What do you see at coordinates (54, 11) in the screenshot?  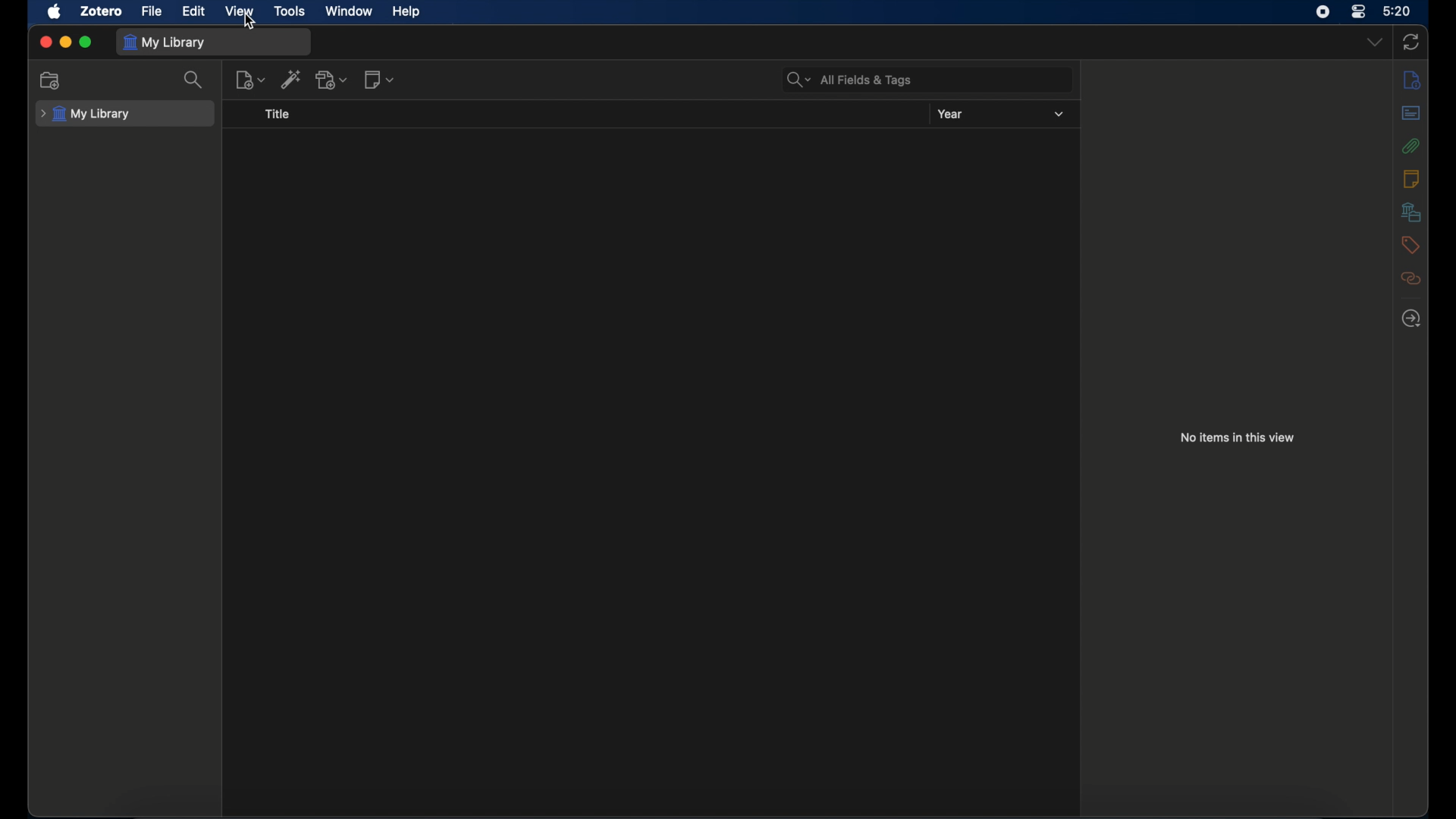 I see `apple icon` at bounding box center [54, 11].